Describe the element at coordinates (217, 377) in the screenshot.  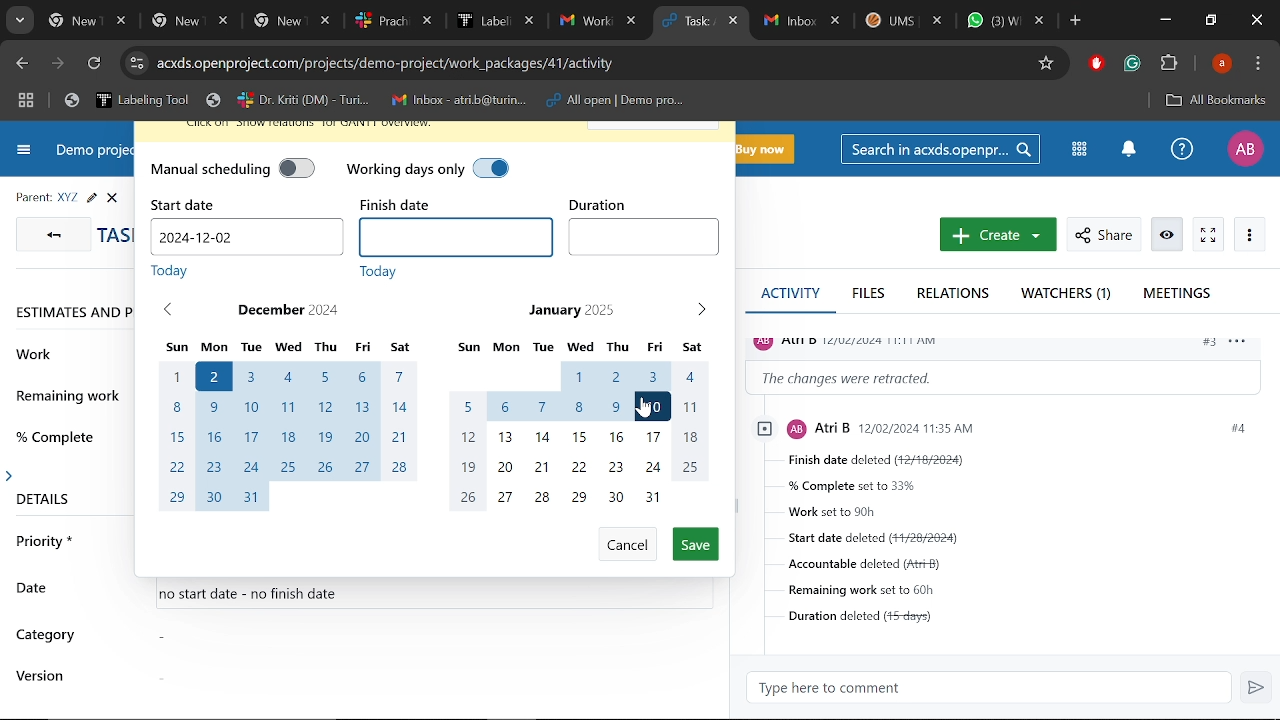
I see `start date` at that location.